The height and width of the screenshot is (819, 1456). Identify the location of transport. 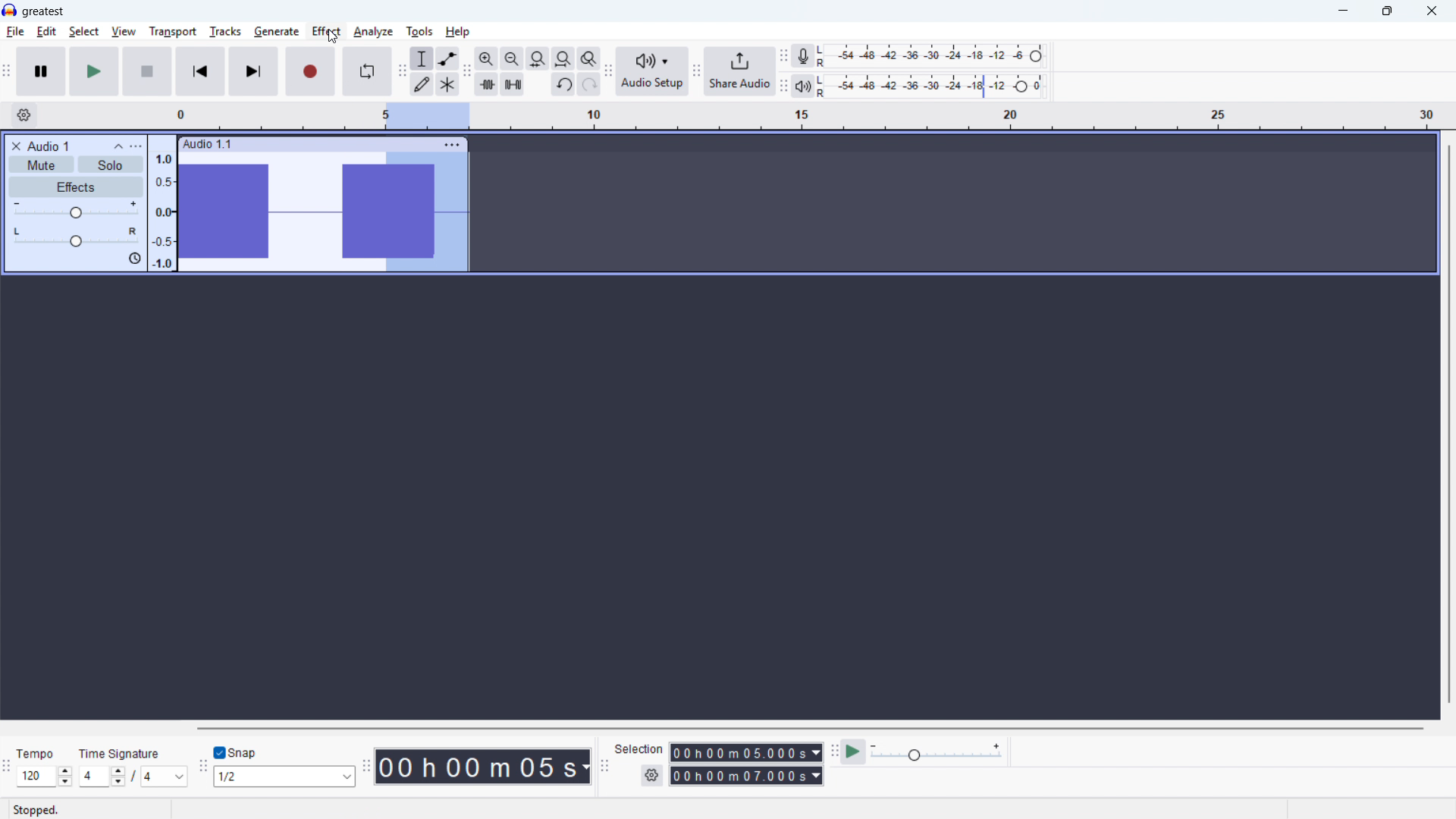
(173, 32).